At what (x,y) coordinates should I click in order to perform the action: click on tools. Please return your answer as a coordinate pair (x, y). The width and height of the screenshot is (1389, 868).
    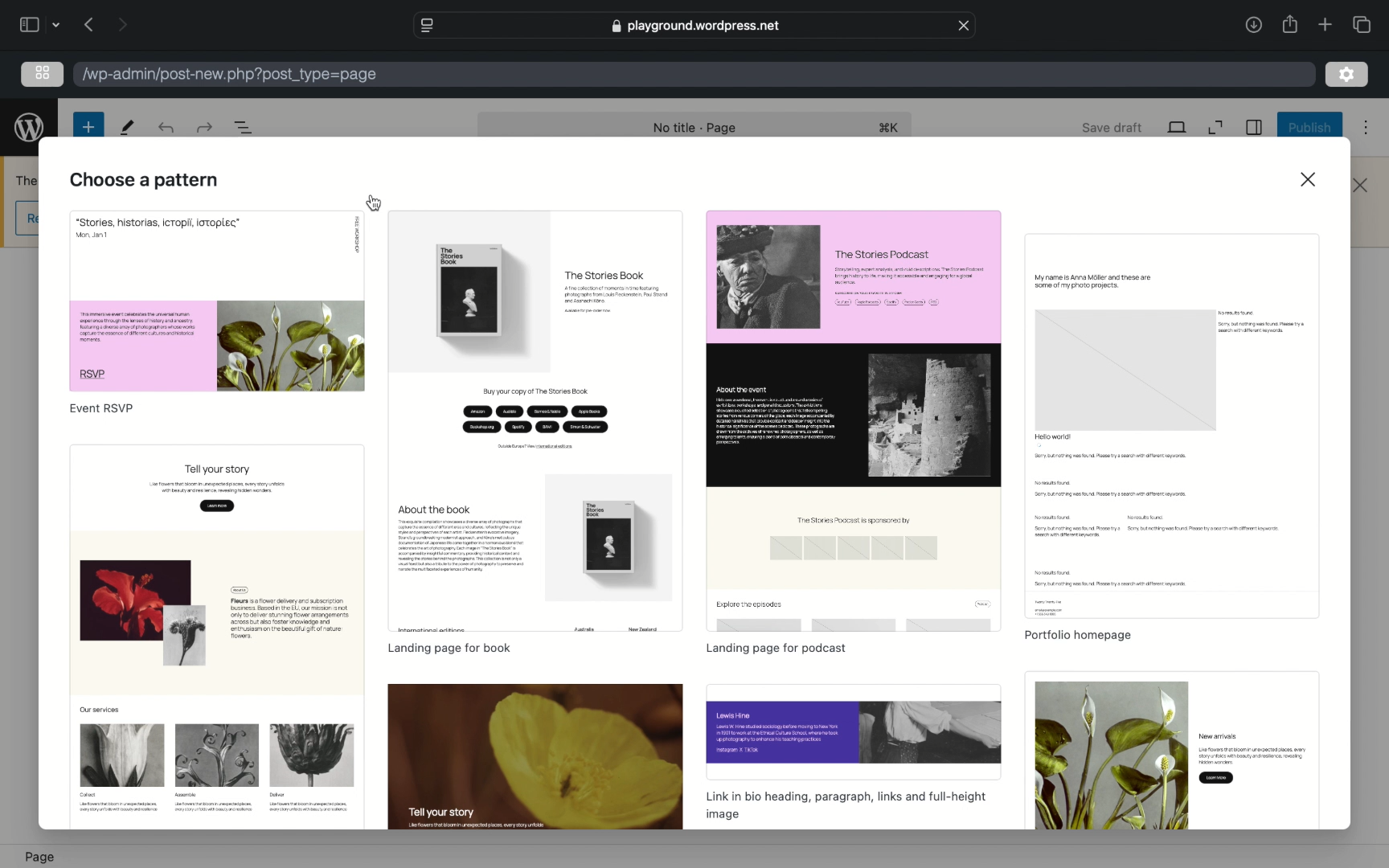
    Looking at the image, I should click on (127, 129).